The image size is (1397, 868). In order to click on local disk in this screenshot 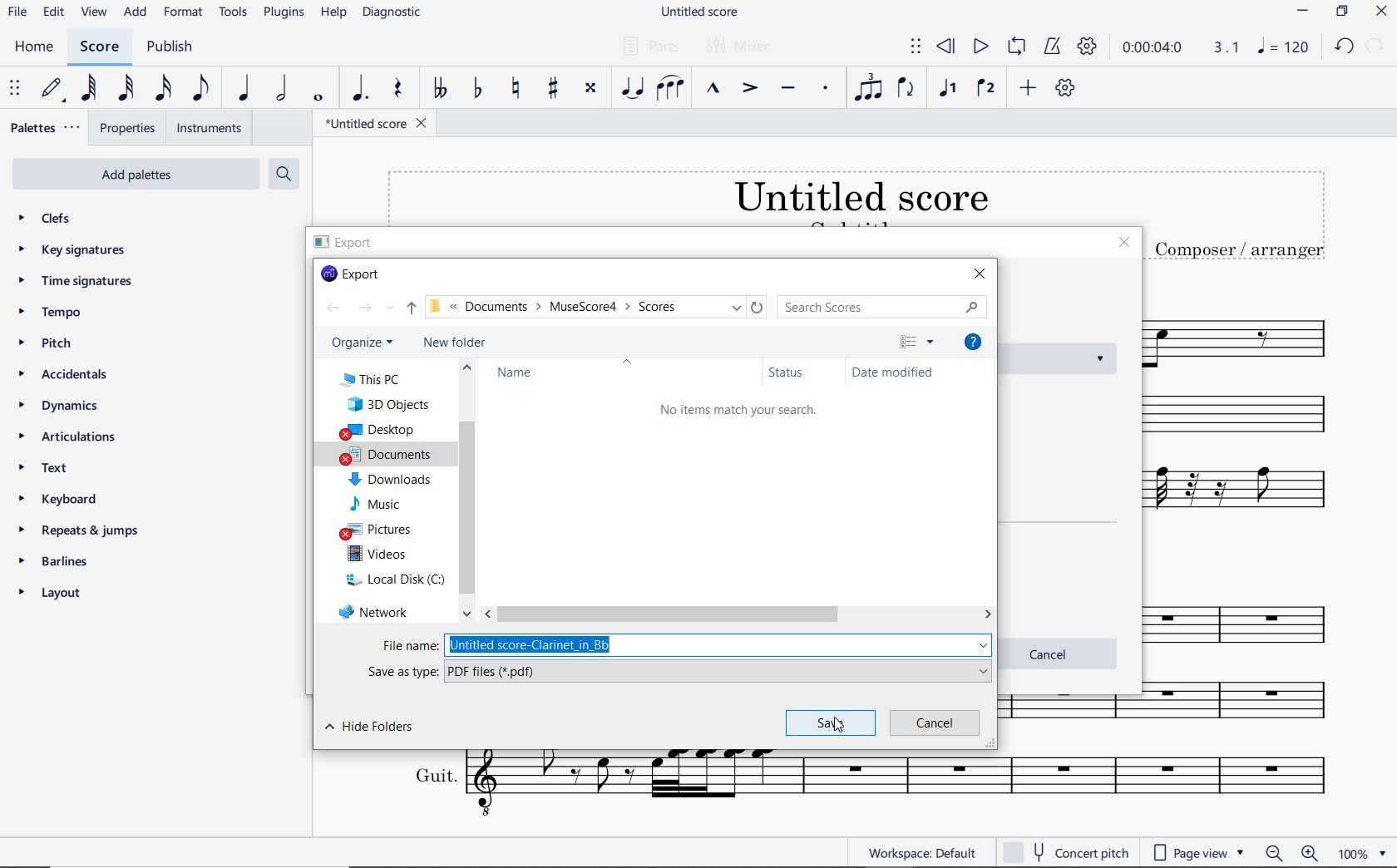, I will do `click(390, 579)`.